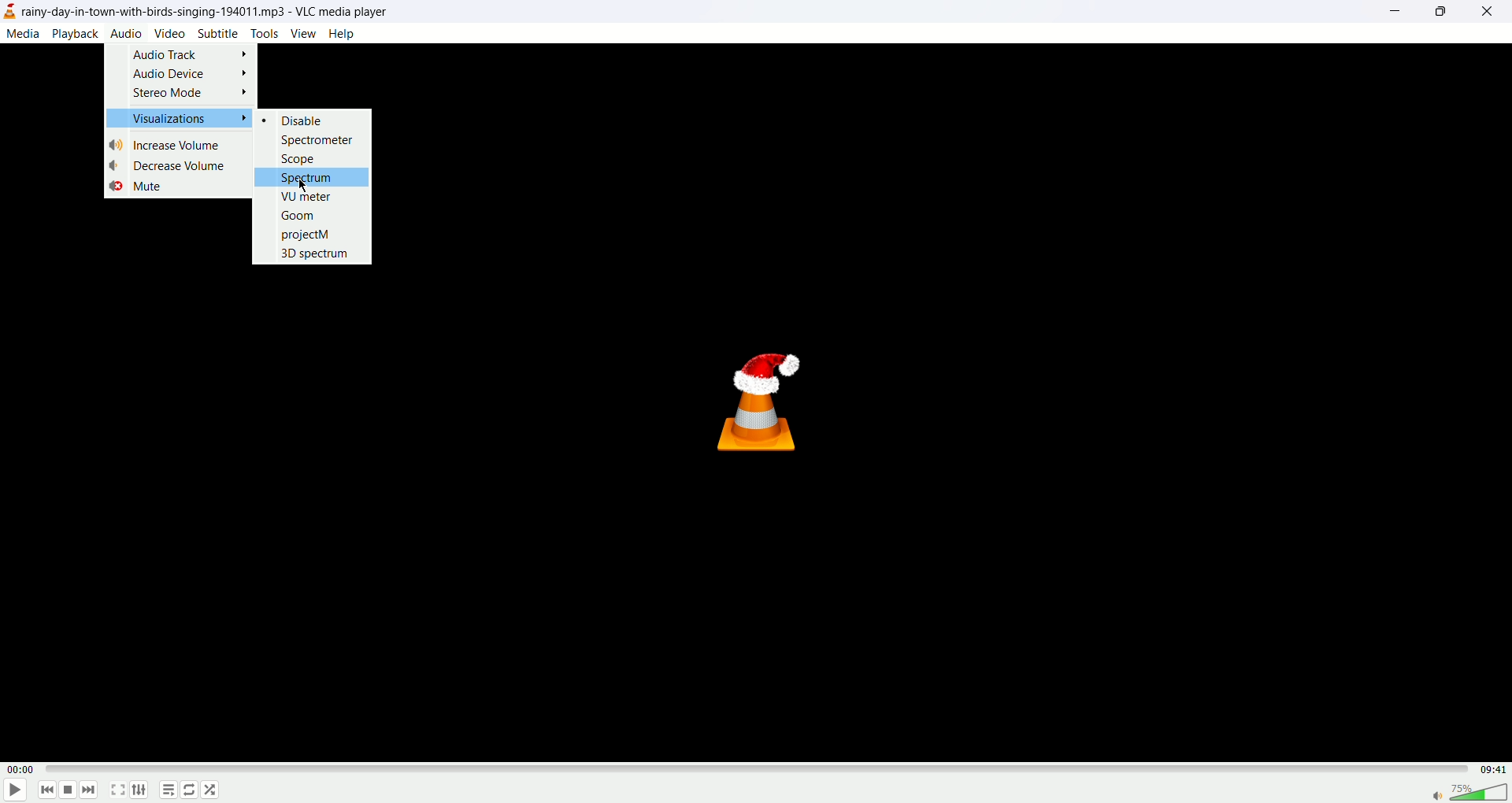 The image size is (1512, 803). What do you see at coordinates (91, 790) in the screenshot?
I see `next` at bounding box center [91, 790].